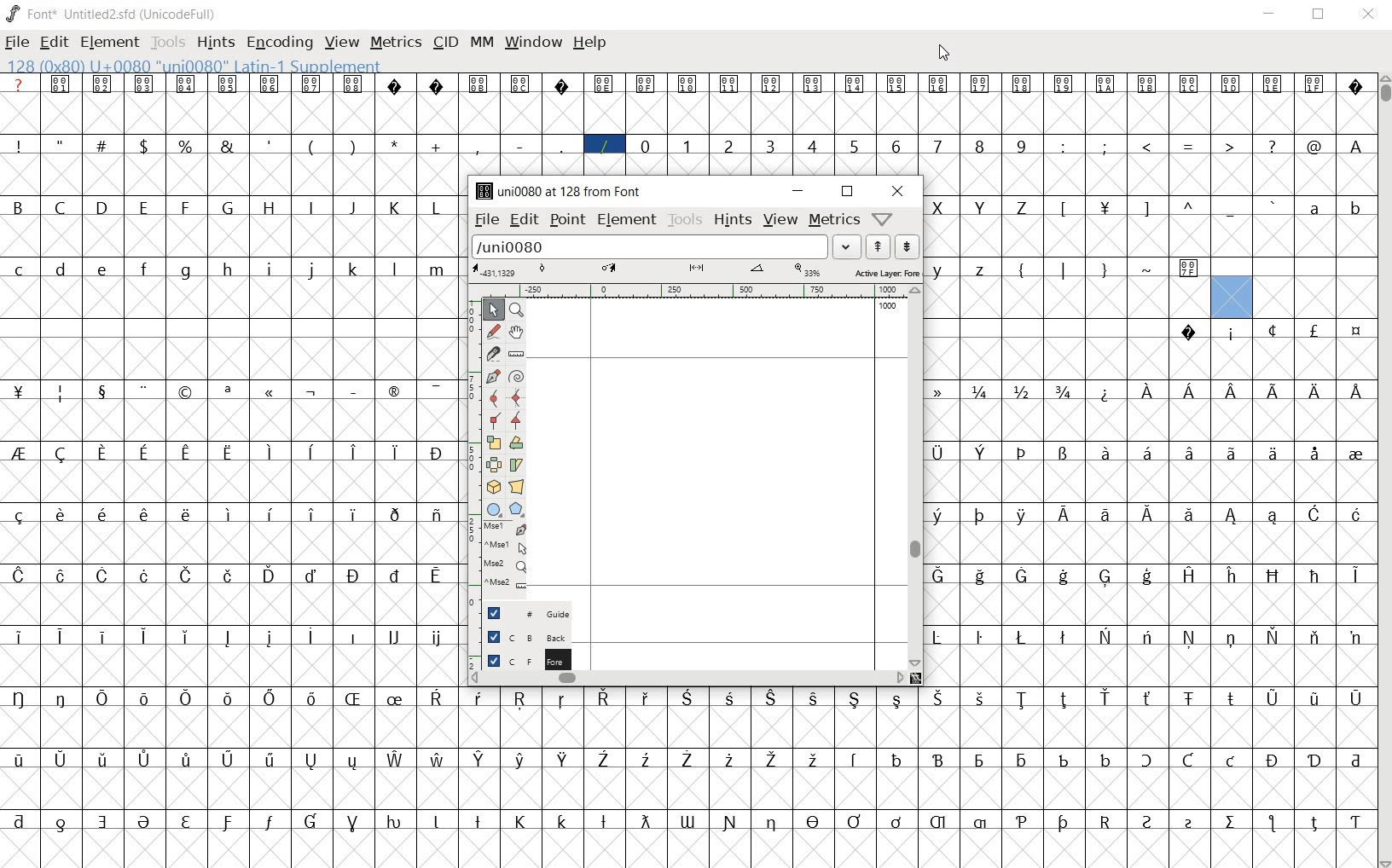 The height and width of the screenshot is (868, 1392). What do you see at coordinates (1355, 639) in the screenshot?
I see `glyph` at bounding box center [1355, 639].